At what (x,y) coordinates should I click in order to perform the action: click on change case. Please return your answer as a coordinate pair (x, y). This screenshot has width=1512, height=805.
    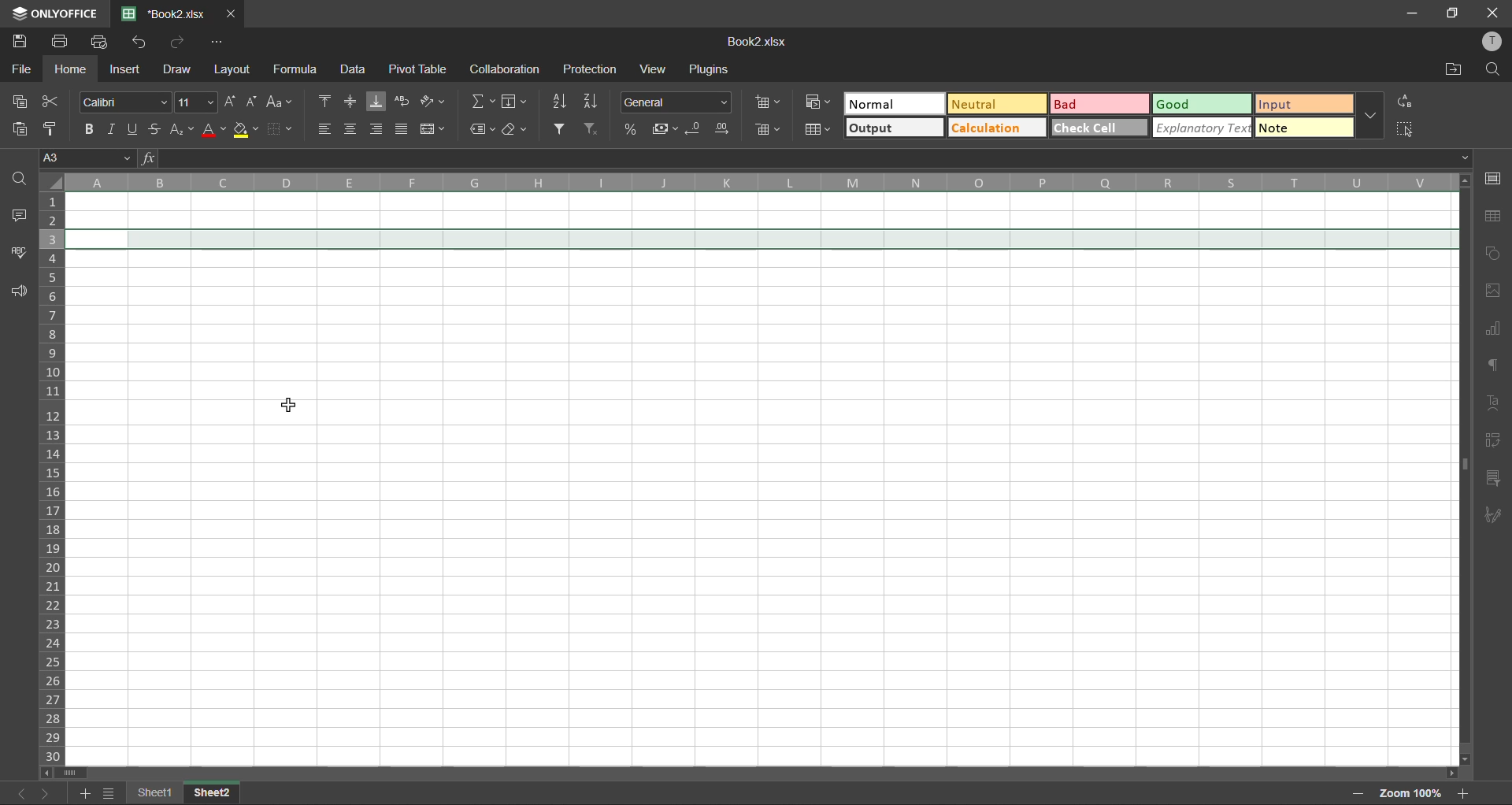
    Looking at the image, I should click on (282, 101).